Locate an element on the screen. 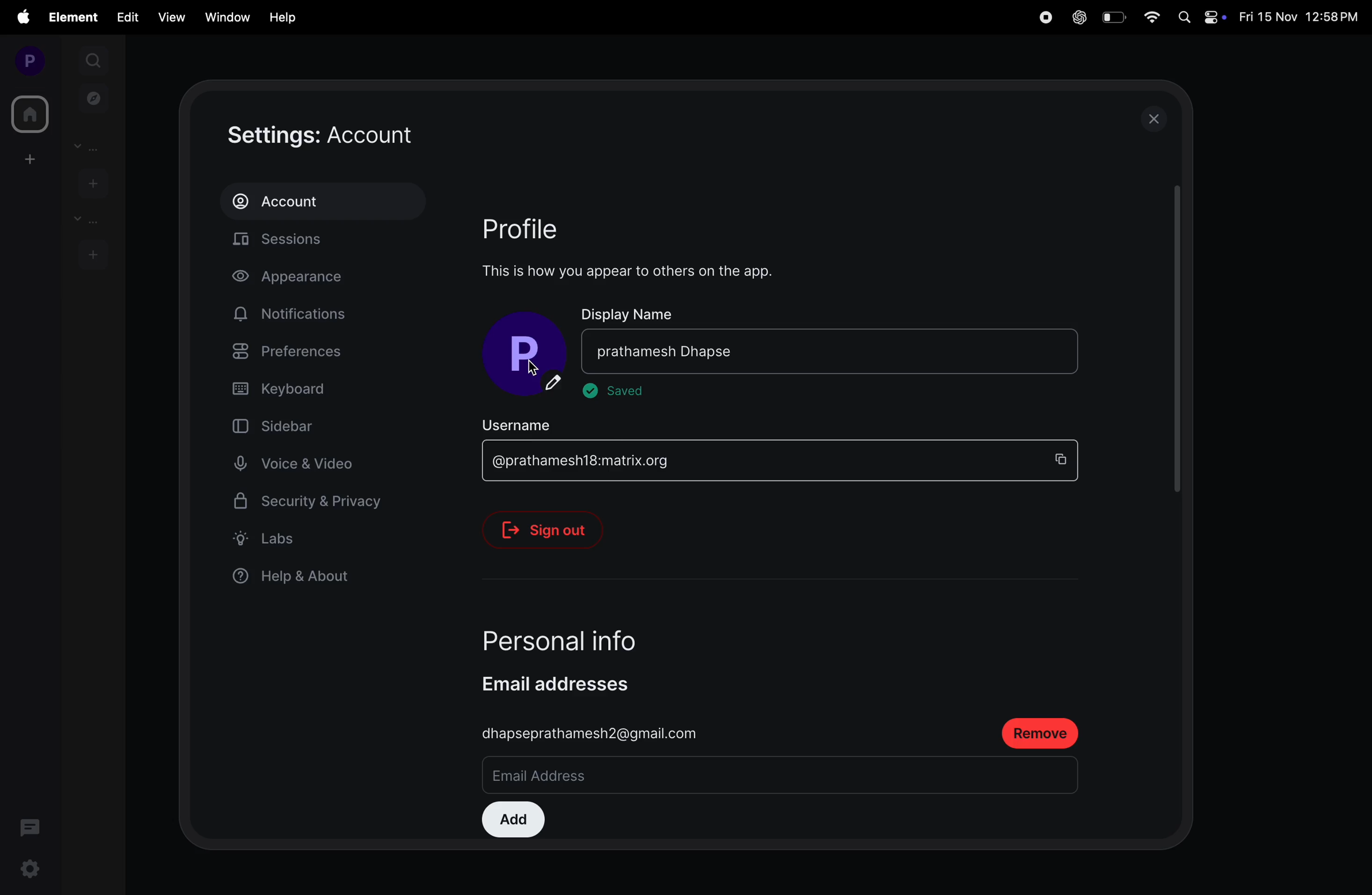  explore is located at coordinates (94, 97).